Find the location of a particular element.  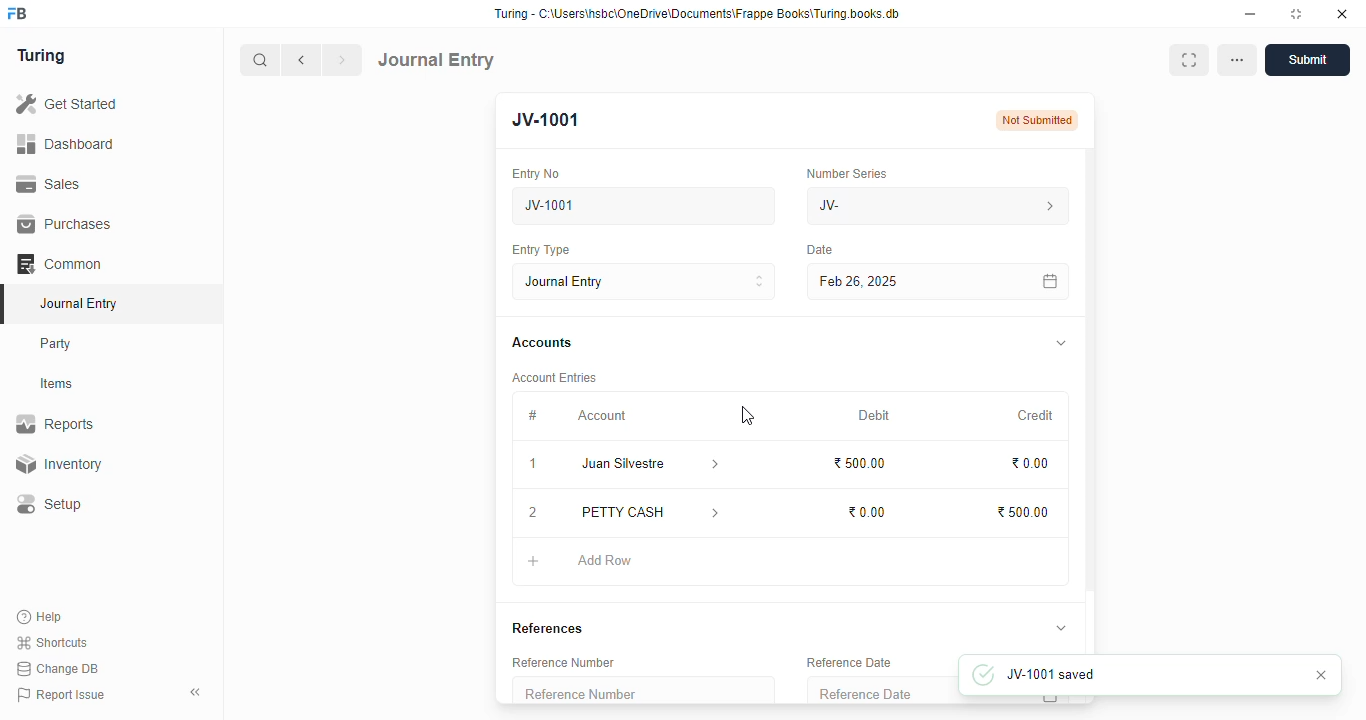

scroll bar is located at coordinates (1092, 400).